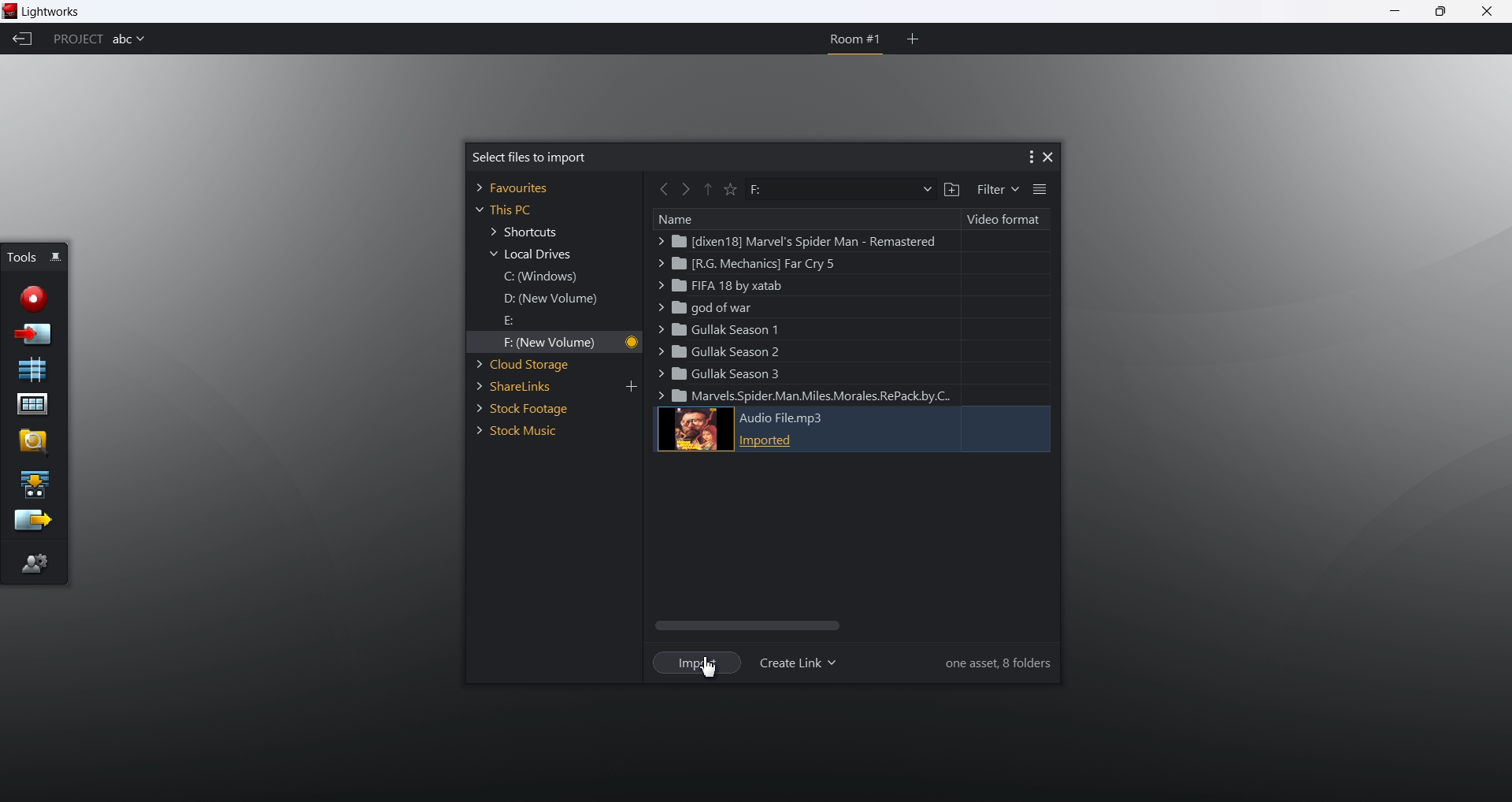 The image size is (1512, 802). Describe the element at coordinates (799, 663) in the screenshot. I see `create link` at that location.